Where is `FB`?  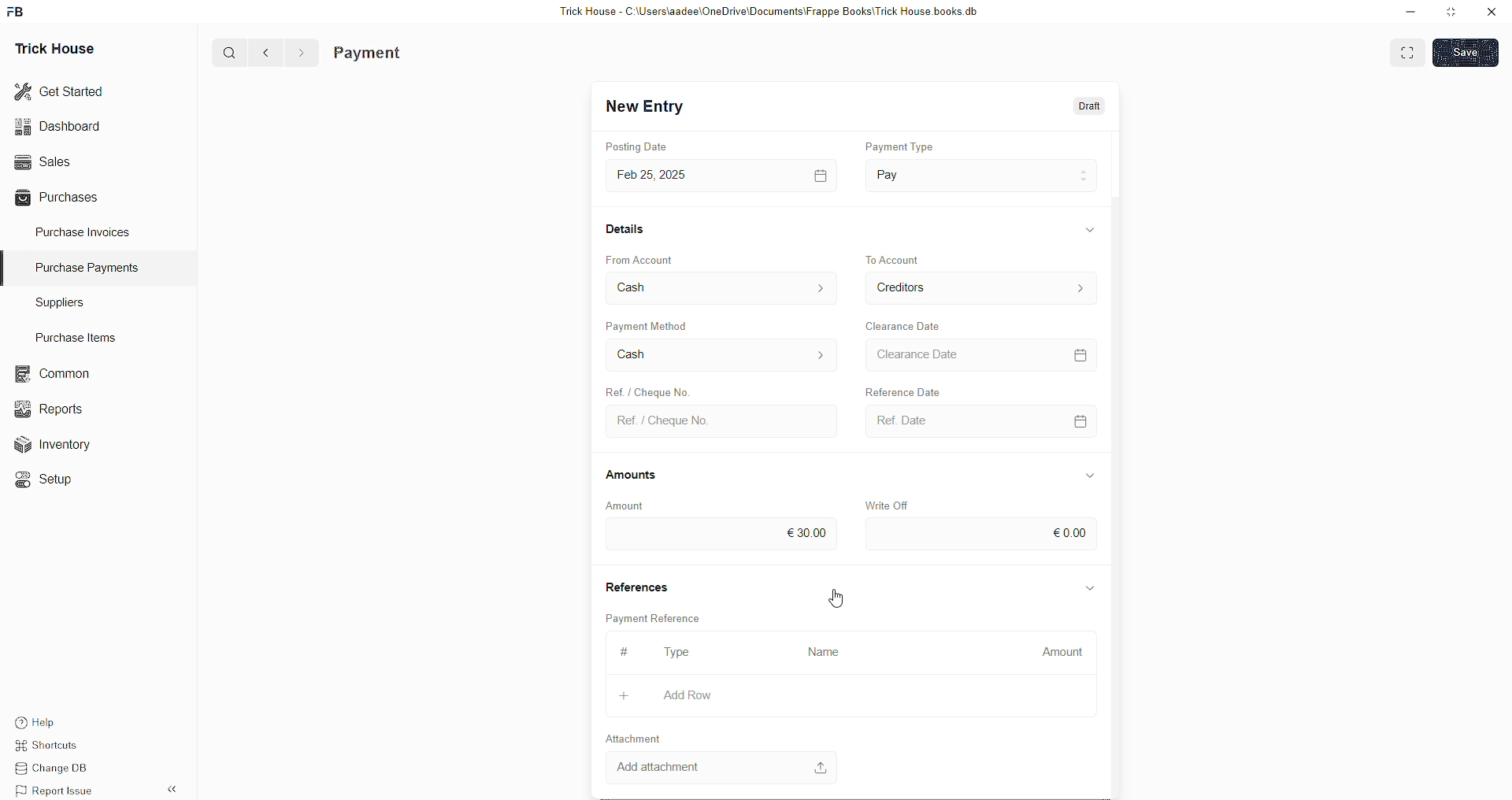
FB is located at coordinates (18, 10).